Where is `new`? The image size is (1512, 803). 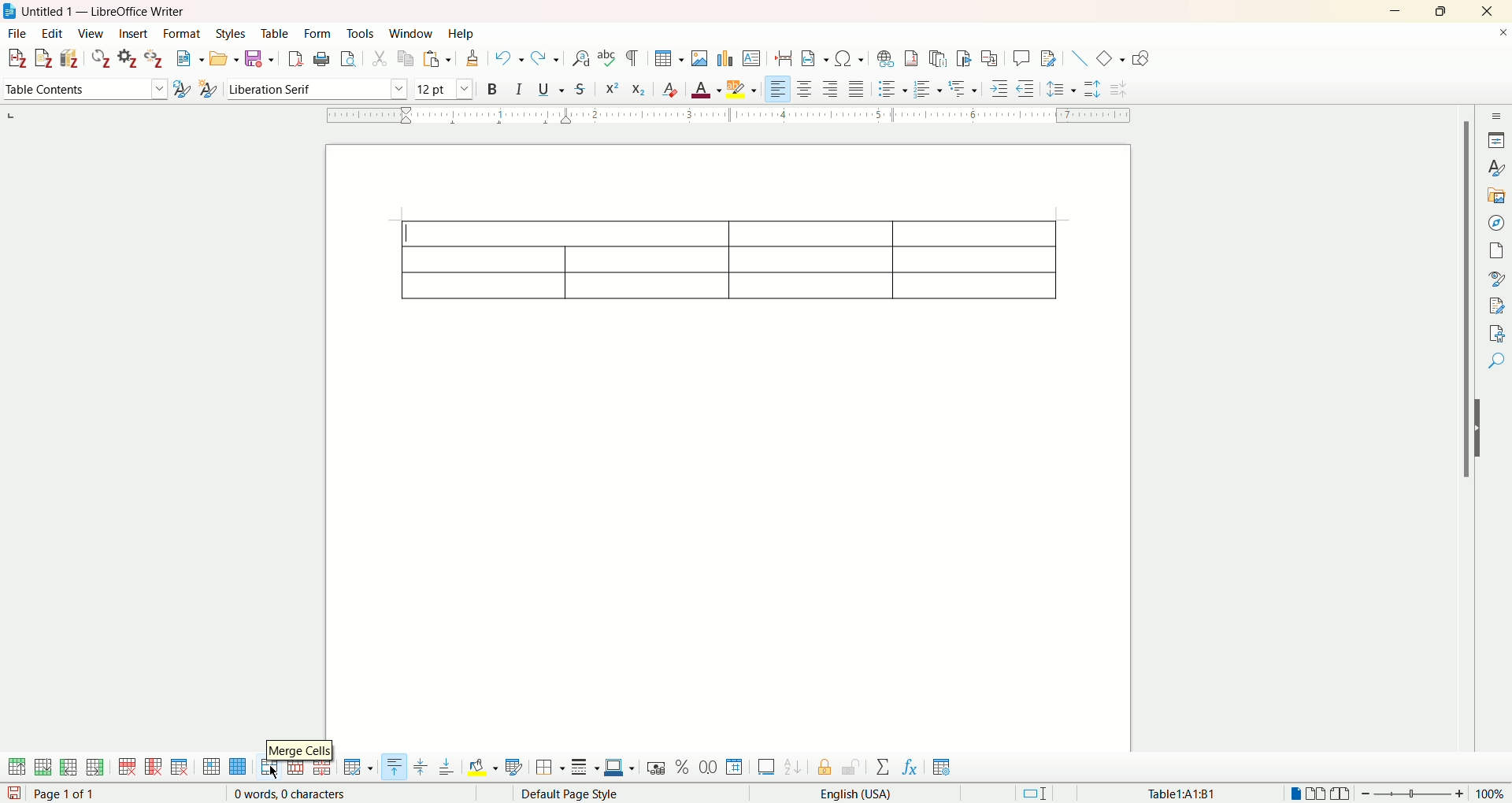 new is located at coordinates (188, 58).